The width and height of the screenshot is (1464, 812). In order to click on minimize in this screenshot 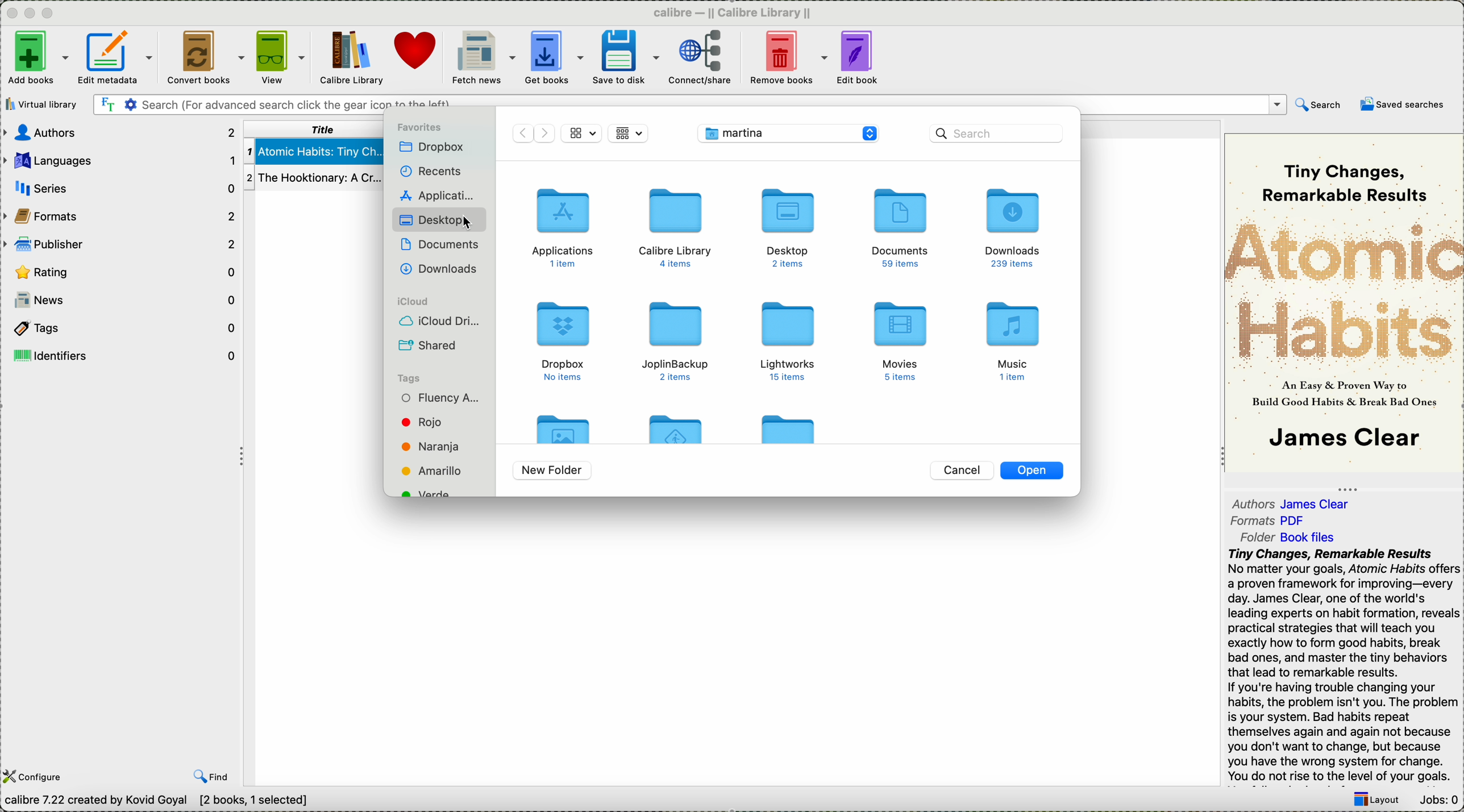, I will do `click(30, 11)`.